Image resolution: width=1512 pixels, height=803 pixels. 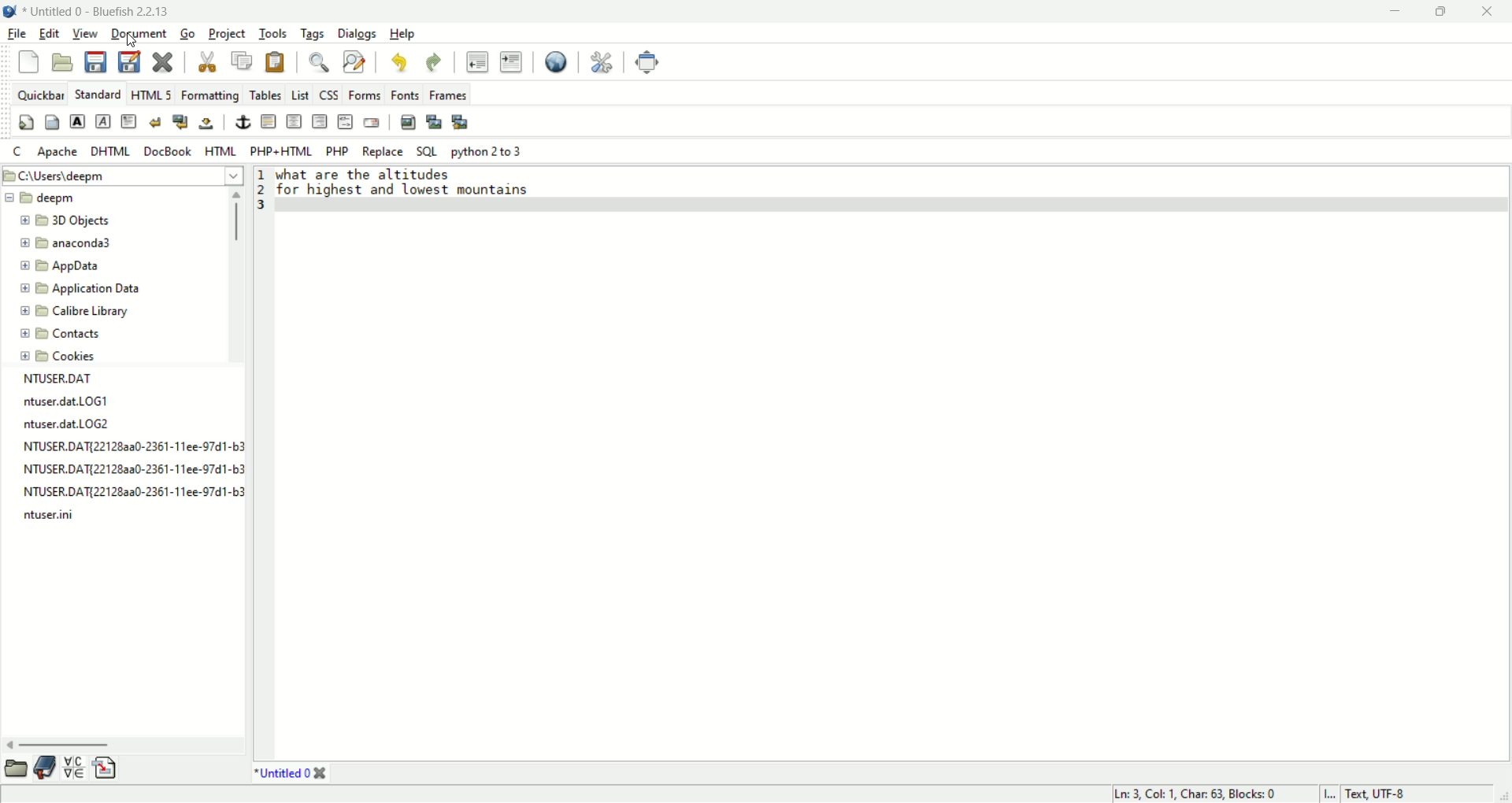 I want to click on multi-thumbnail, so click(x=460, y=120).